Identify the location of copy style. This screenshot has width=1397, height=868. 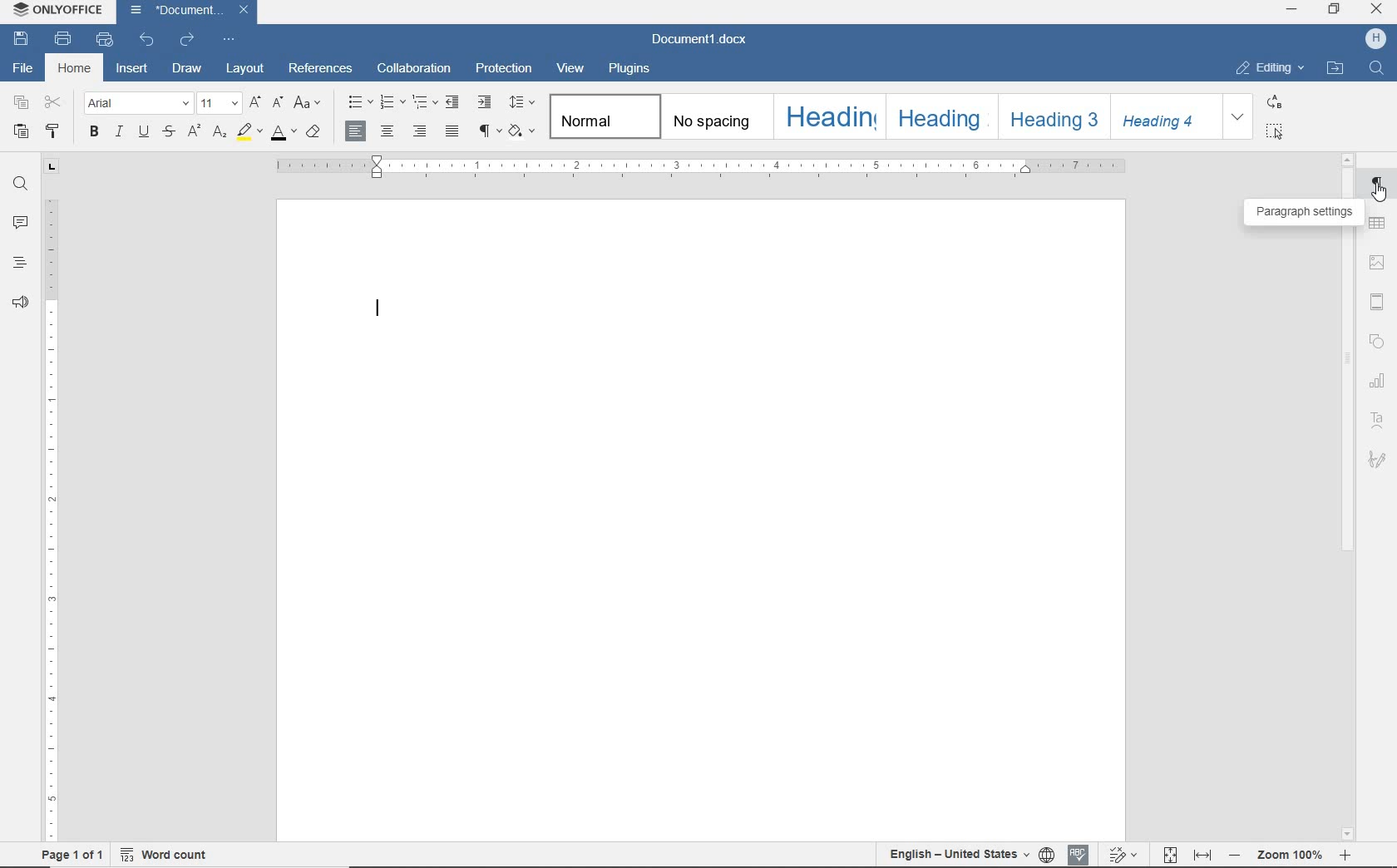
(53, 132).